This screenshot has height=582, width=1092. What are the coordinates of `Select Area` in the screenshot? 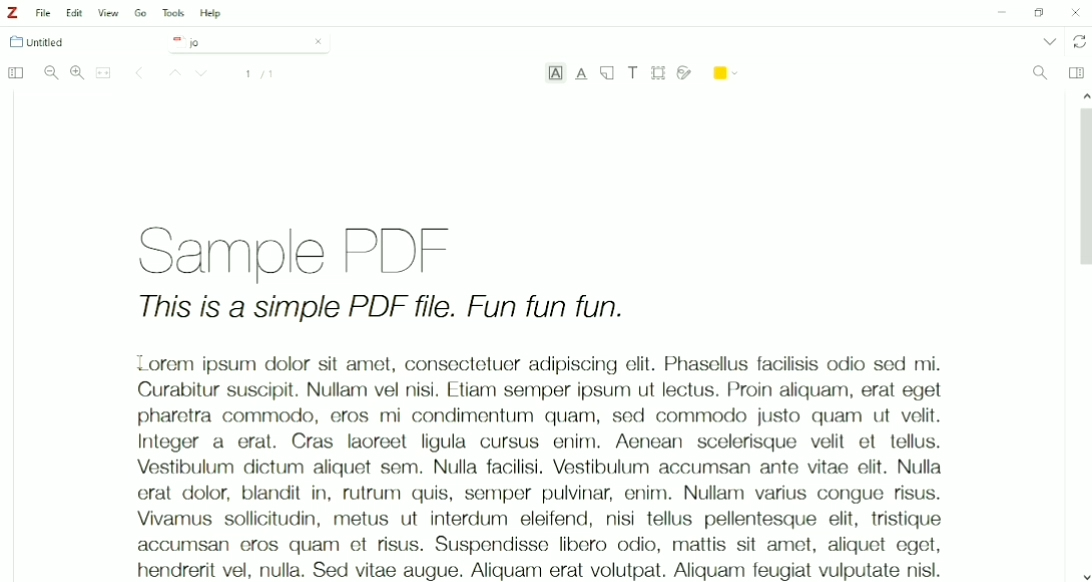 It's located at (659, 72).